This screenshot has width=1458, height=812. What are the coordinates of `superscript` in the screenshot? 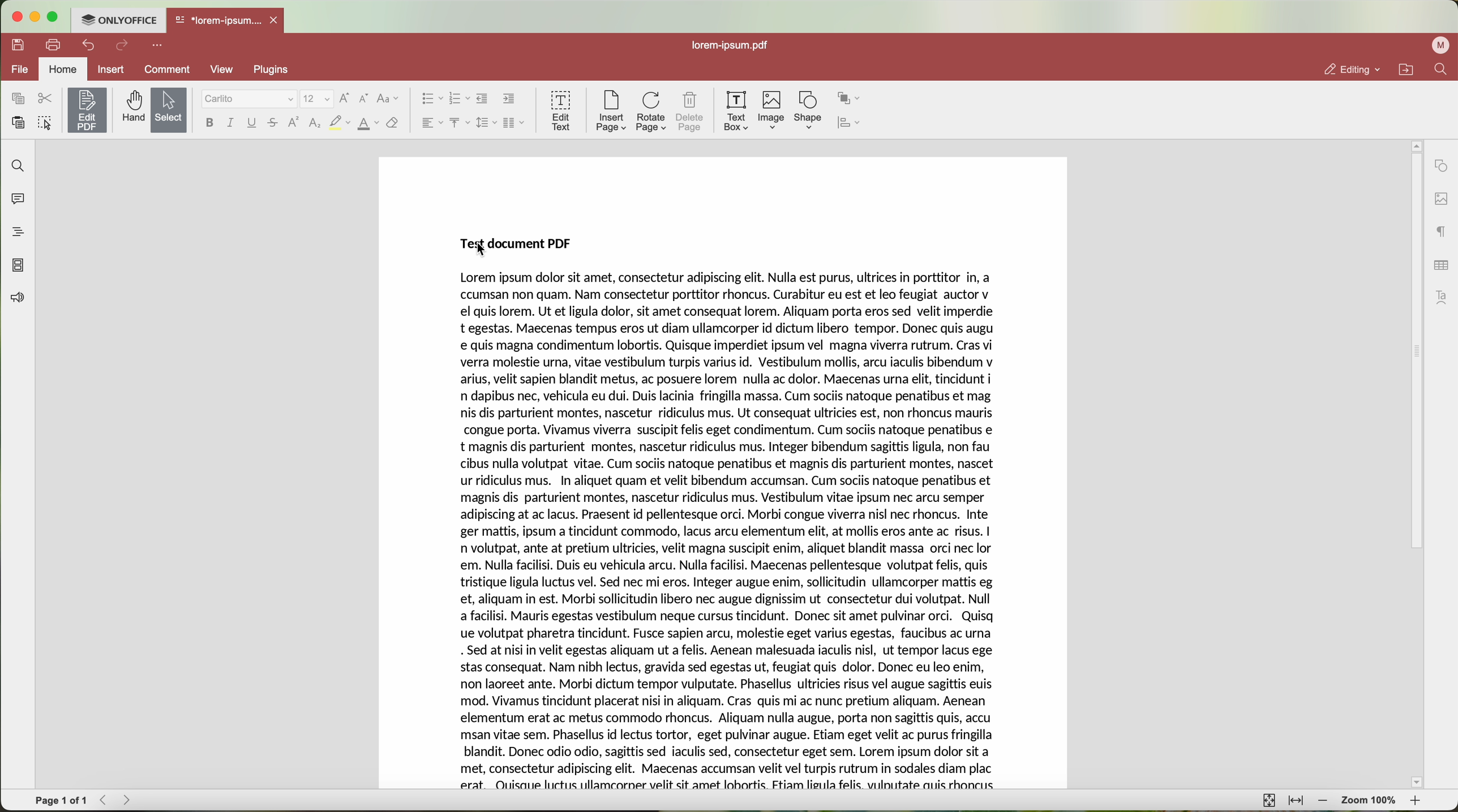 It's located at (295, 123).